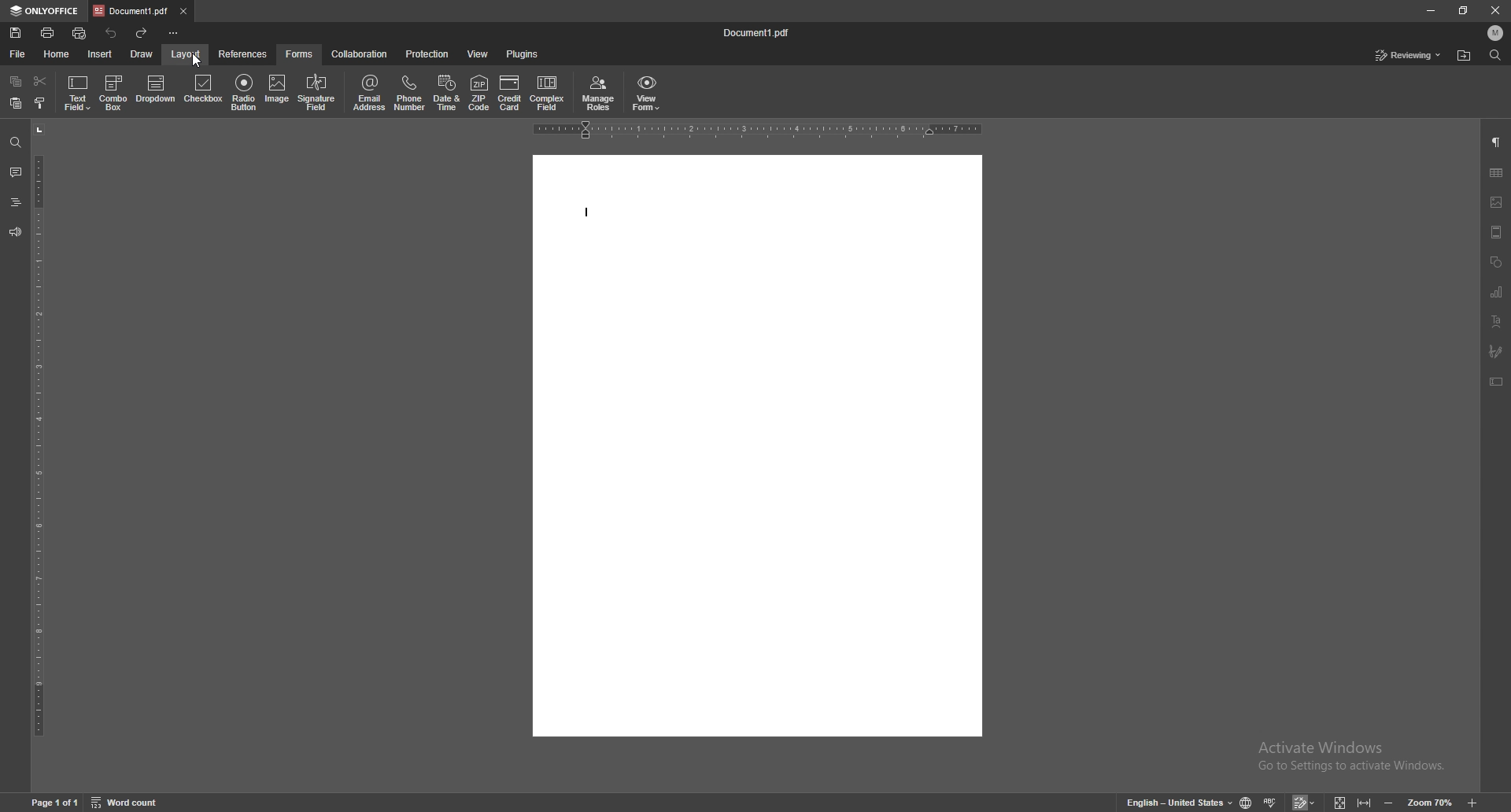  What do you see at coordinates (142, 34) in the screenshot?
I see `redo` at bounding box center [142, 34].